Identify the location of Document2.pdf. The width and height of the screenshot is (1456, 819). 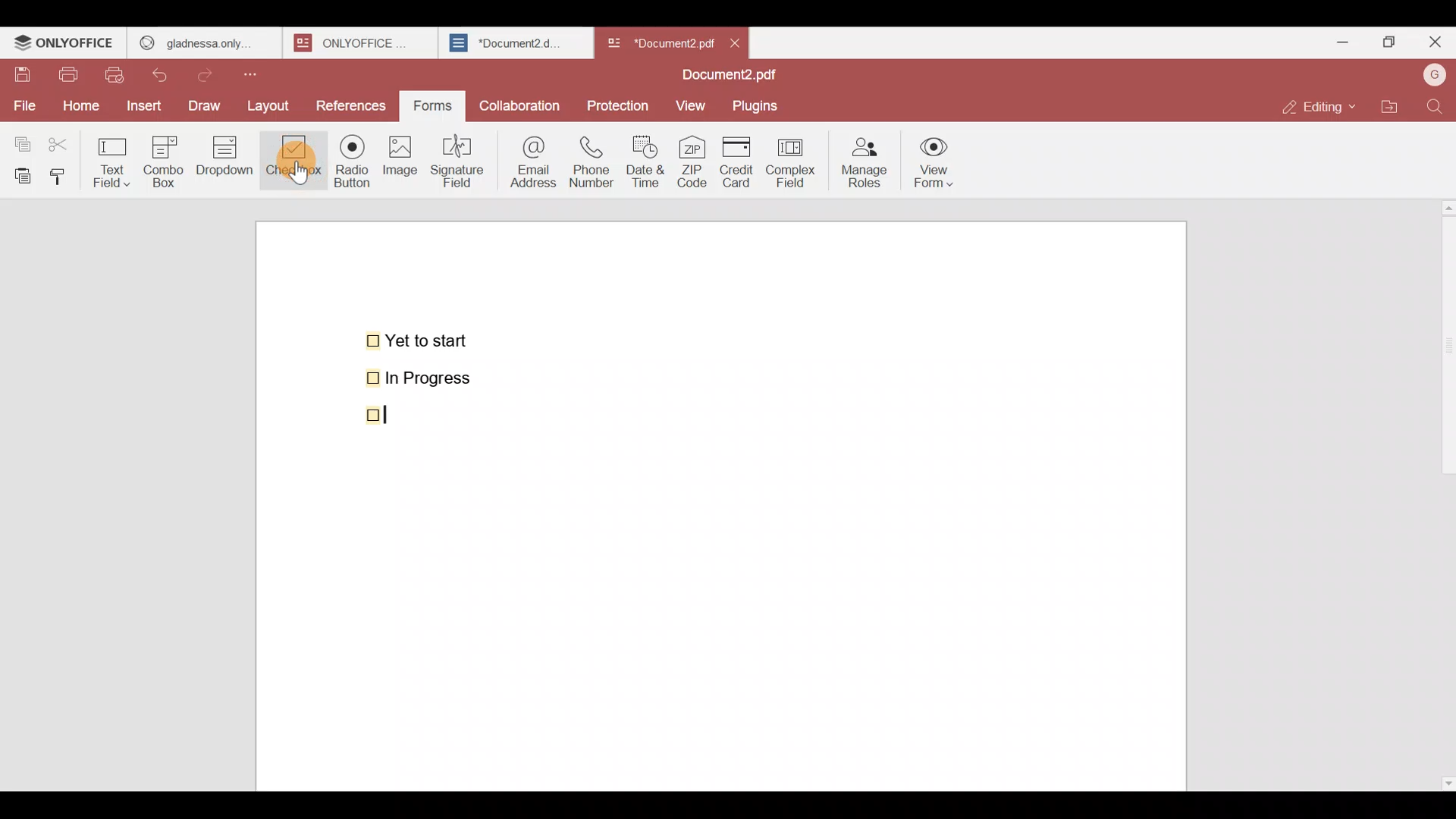
(725, 77).